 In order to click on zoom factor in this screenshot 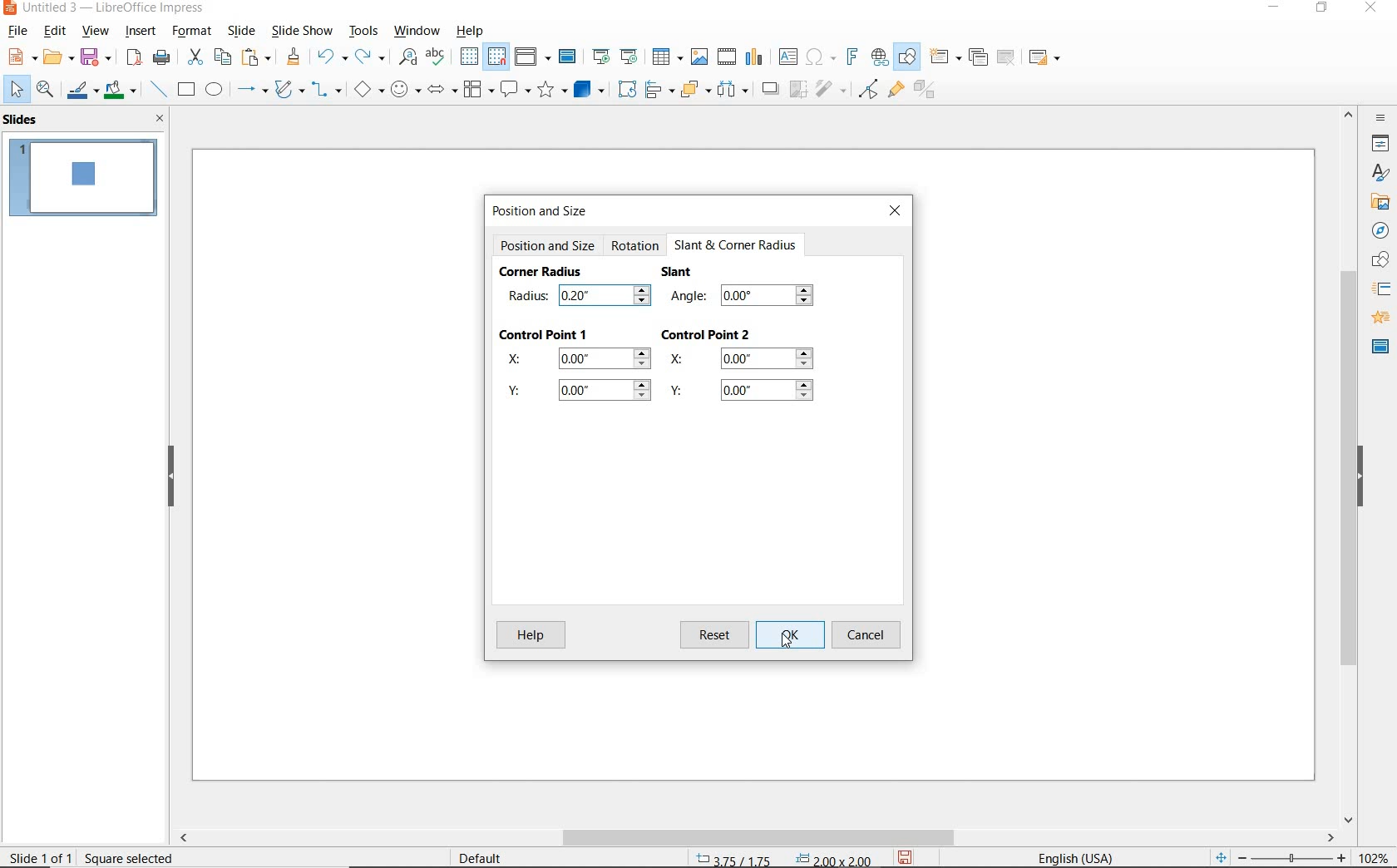, I will do `click(1374, 854)`.